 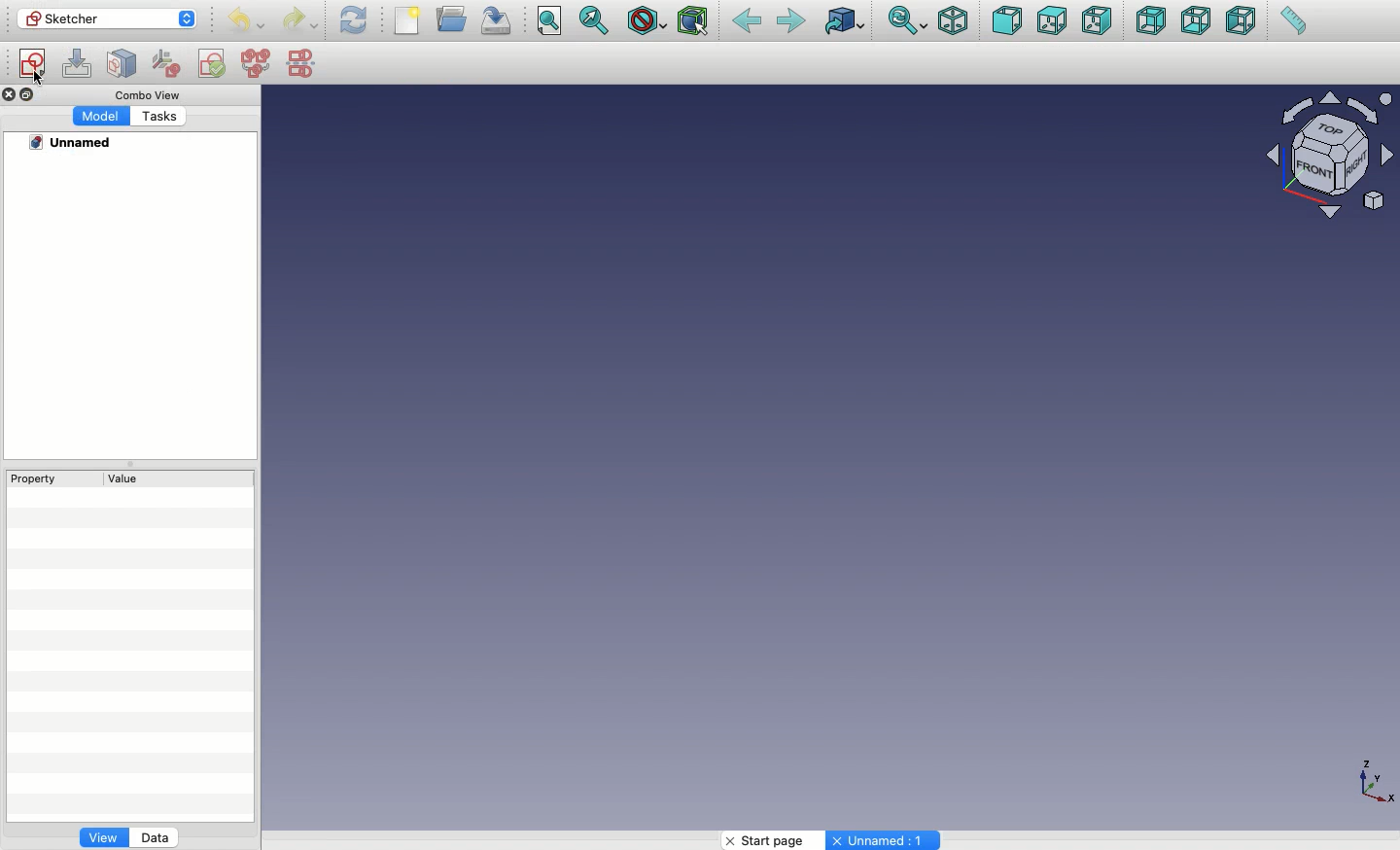 What do you see at coordinates (301, 20) in the screenshot?
I see `Redo` at bounding box center [301, 20].